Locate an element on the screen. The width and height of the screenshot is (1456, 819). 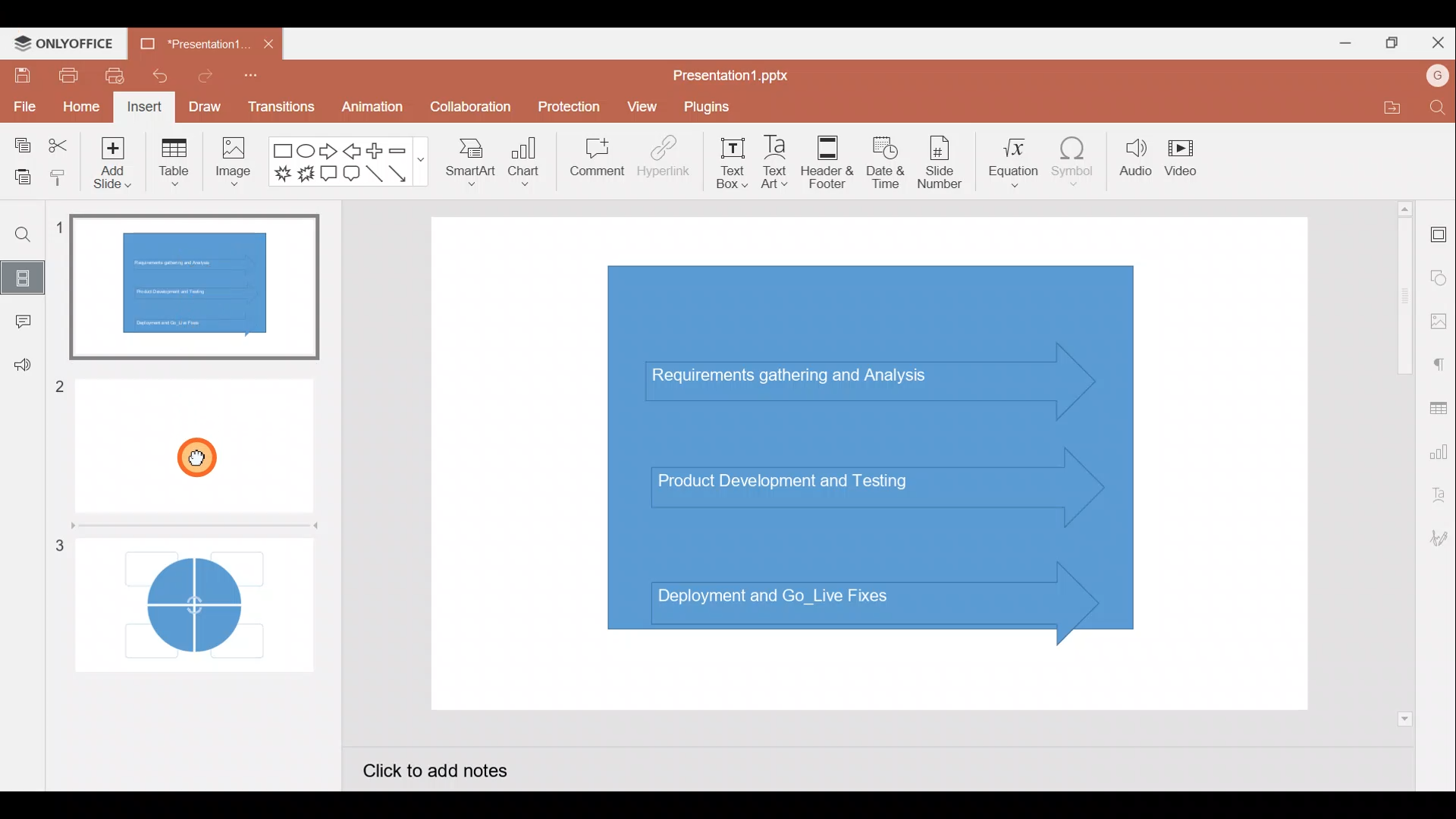
File is located at coordinates (23, 106).